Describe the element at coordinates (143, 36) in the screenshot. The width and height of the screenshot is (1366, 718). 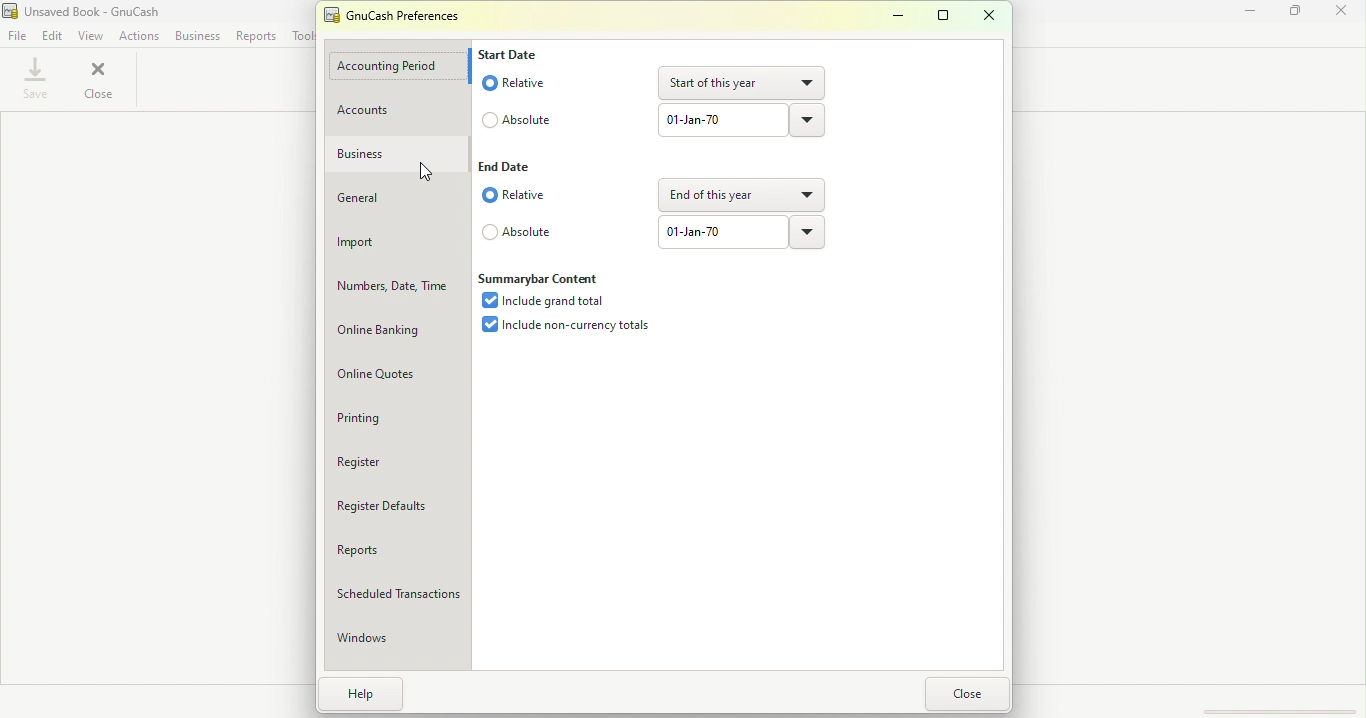
I see `Actions` at that location.